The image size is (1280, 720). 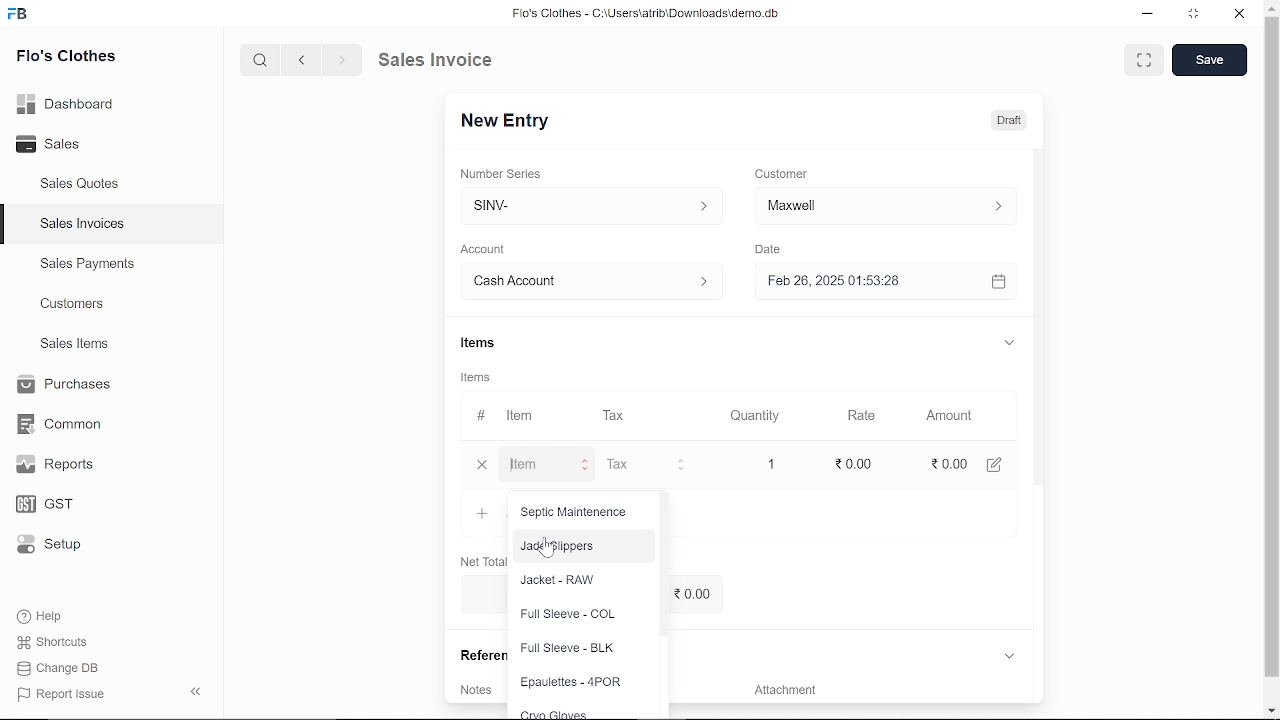 What do you see at coordinates (1209, 61) in the screenshot?
I see `save` at bounding box center [1209, 61].